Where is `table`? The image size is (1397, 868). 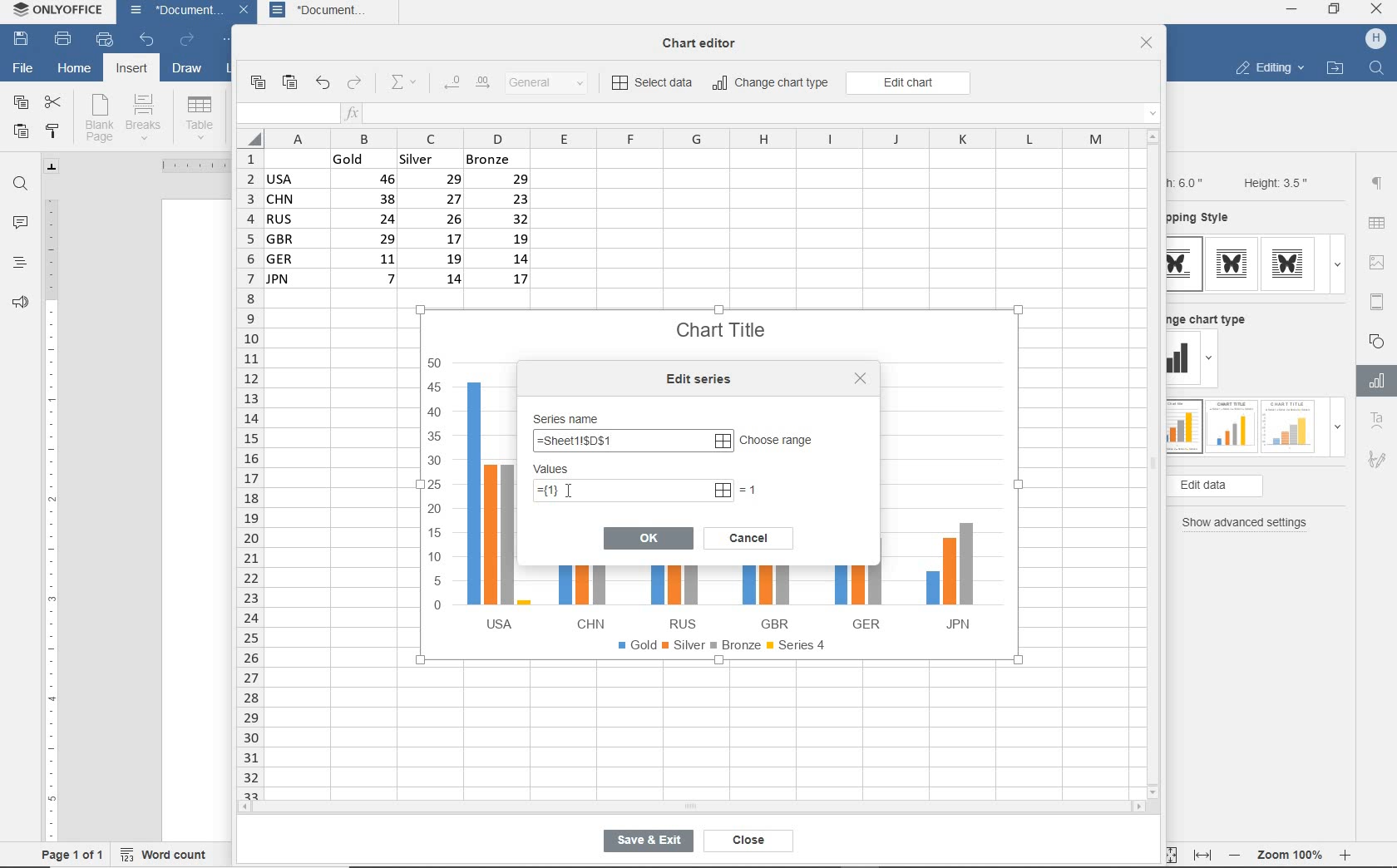 table is located at coordinates (1378, 224).